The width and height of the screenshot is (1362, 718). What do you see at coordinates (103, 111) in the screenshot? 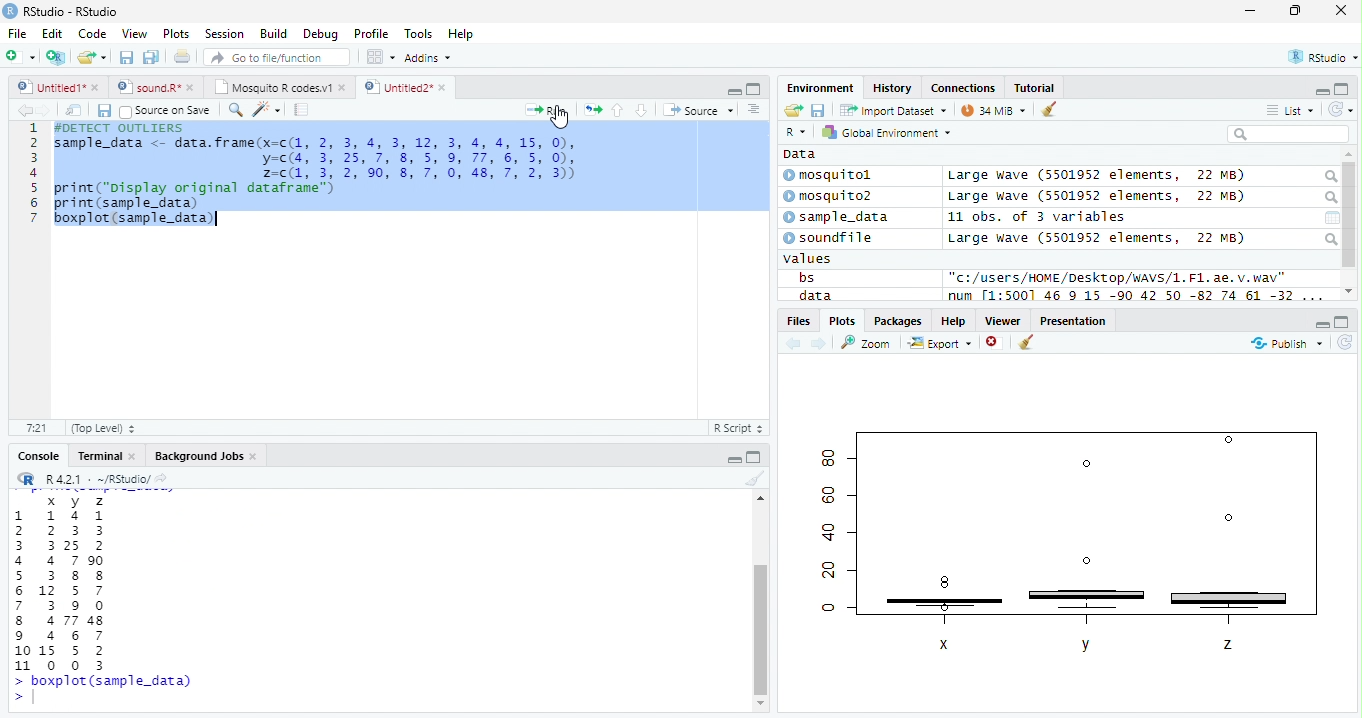
I see `Save` at bounding box center [103, 111].